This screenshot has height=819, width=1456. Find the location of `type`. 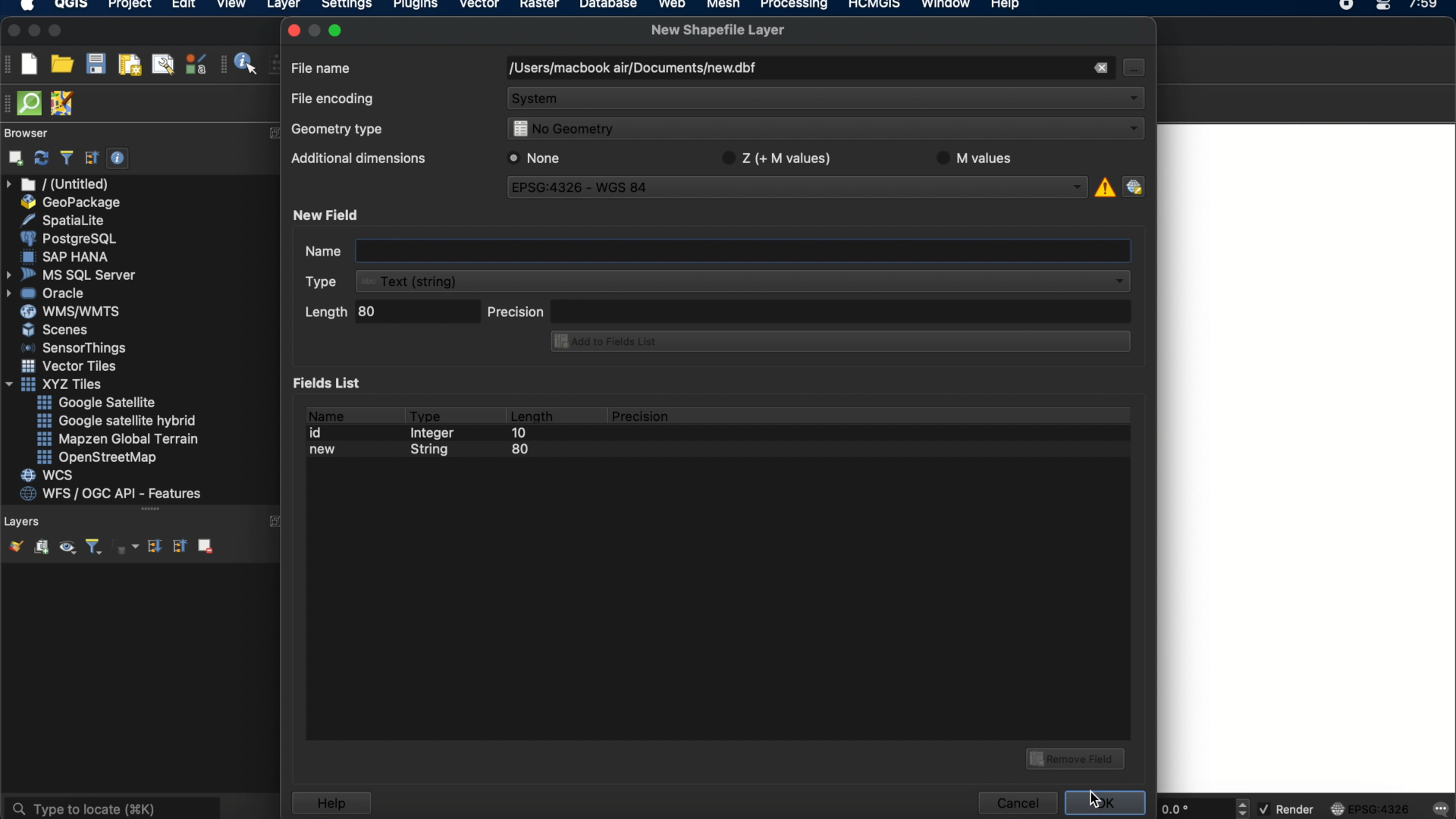

type is located at coordinates (426, 413).